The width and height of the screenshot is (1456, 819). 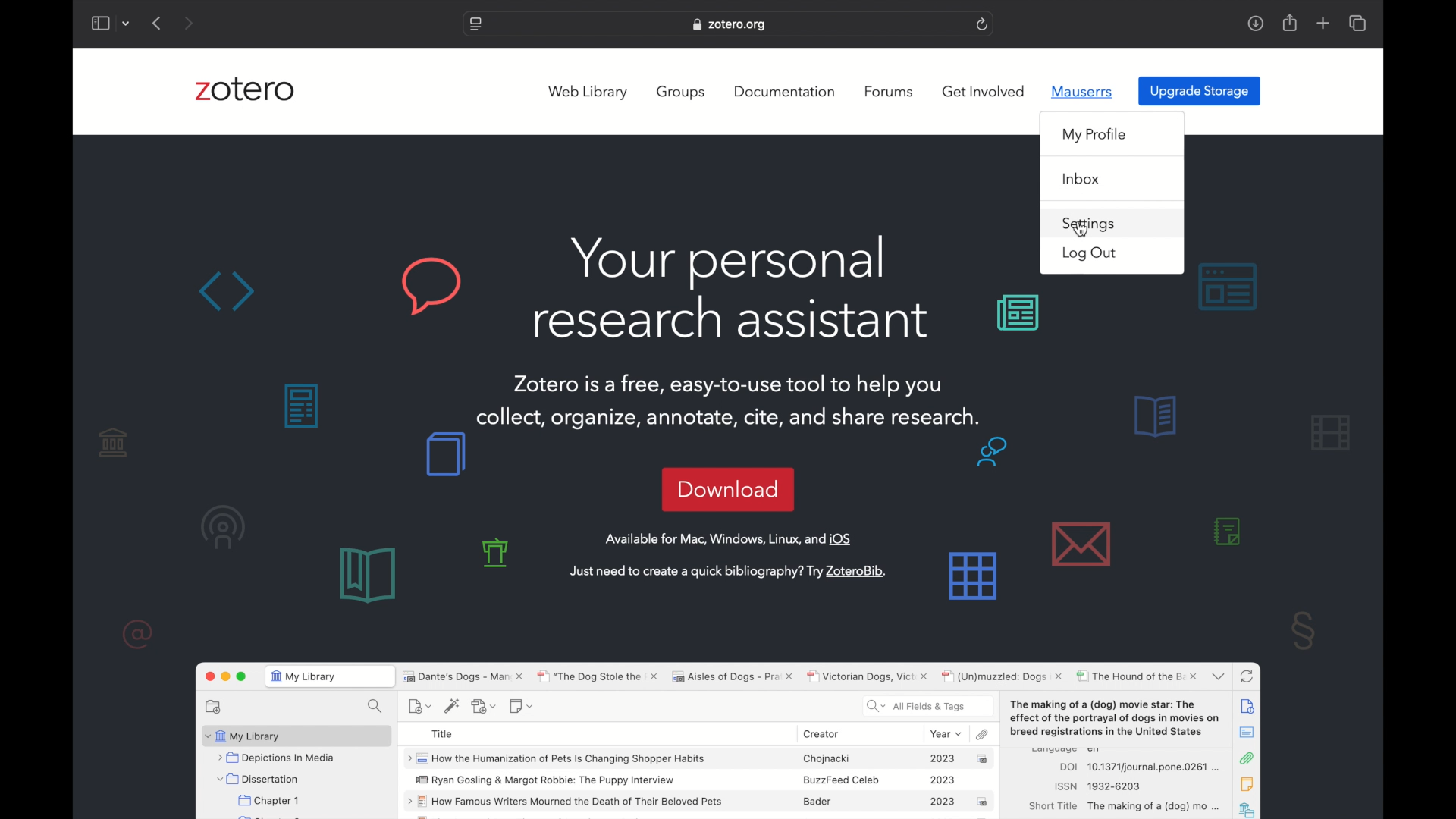 What do you see at coordinates (1200, 91) in the screenshot?
I see `upgrade storage` at bounding box center [1200, 91].